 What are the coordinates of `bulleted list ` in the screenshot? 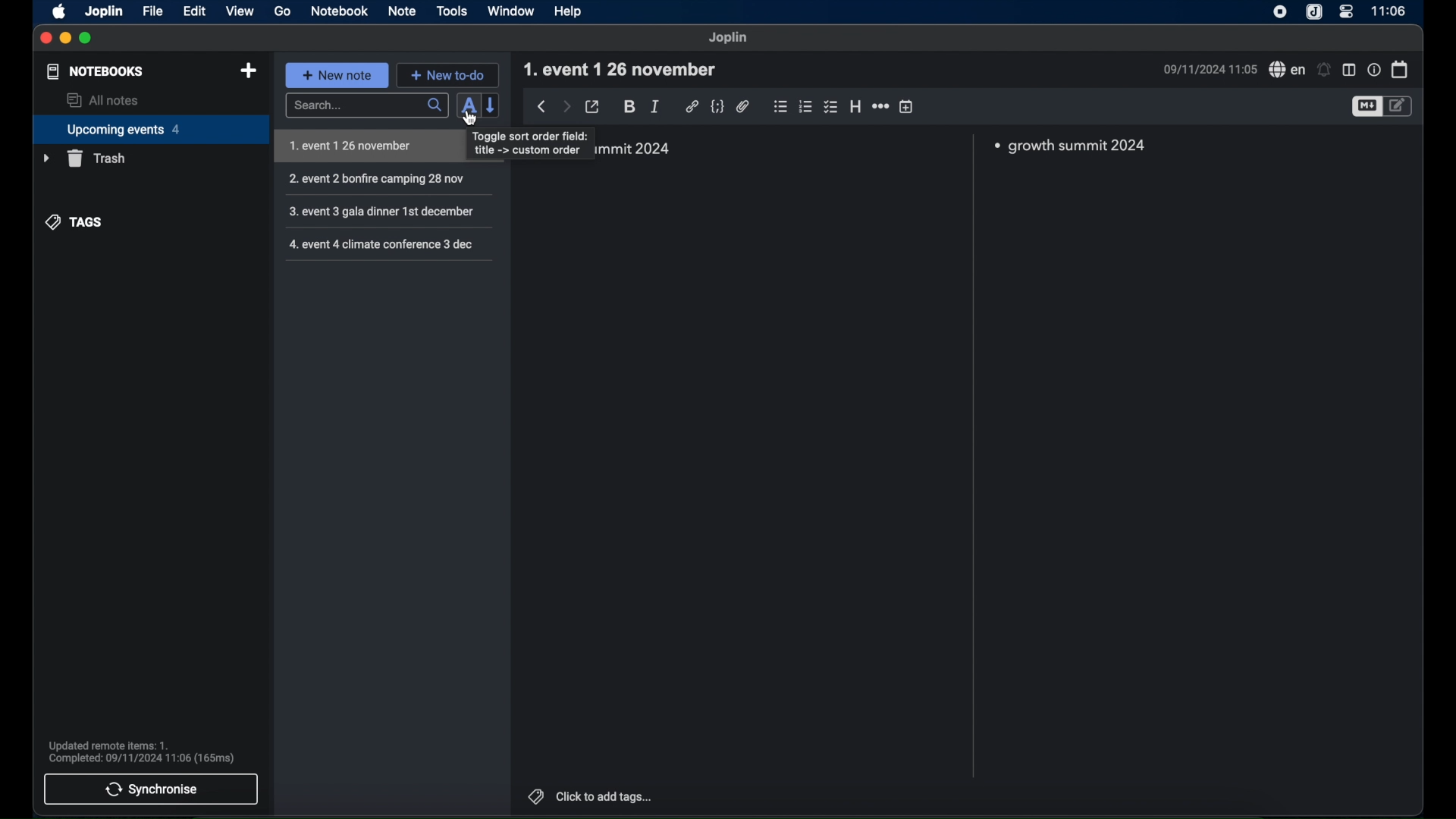 It's located at (780, 108).